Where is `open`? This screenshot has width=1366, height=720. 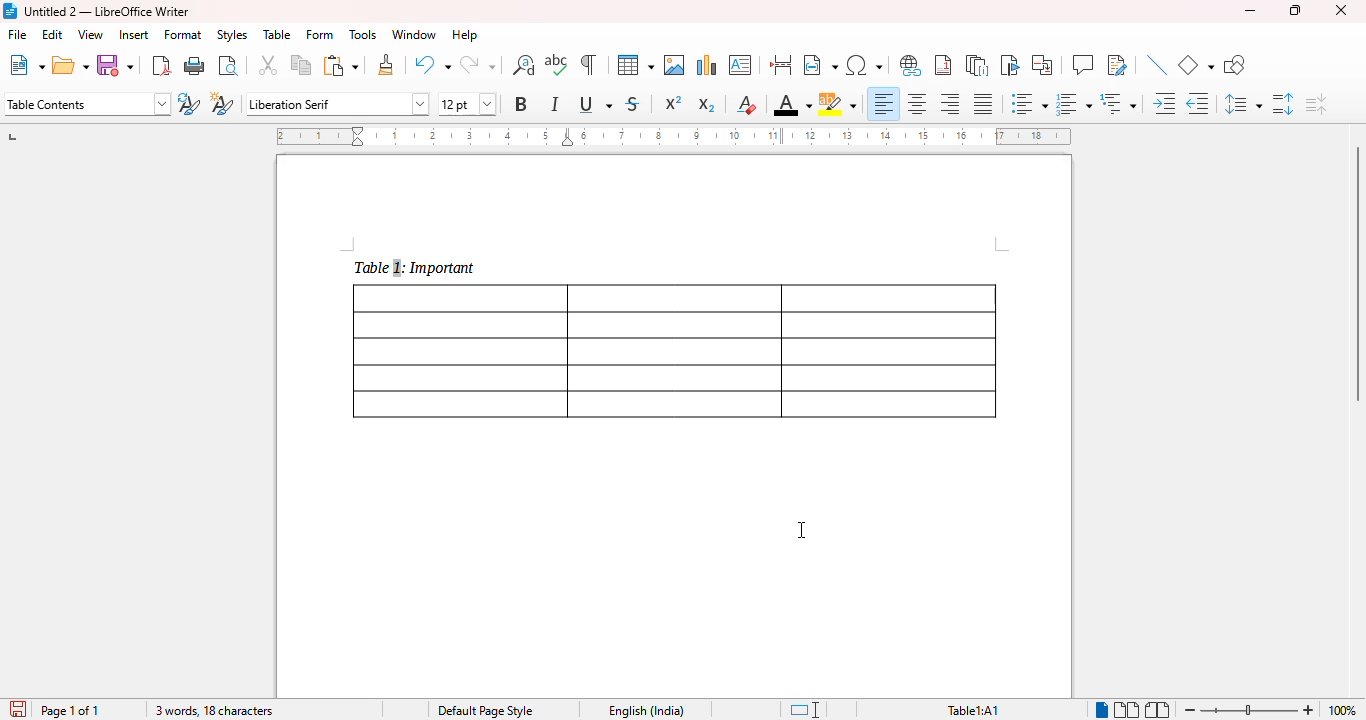
open is located at coordinates (70, 65).